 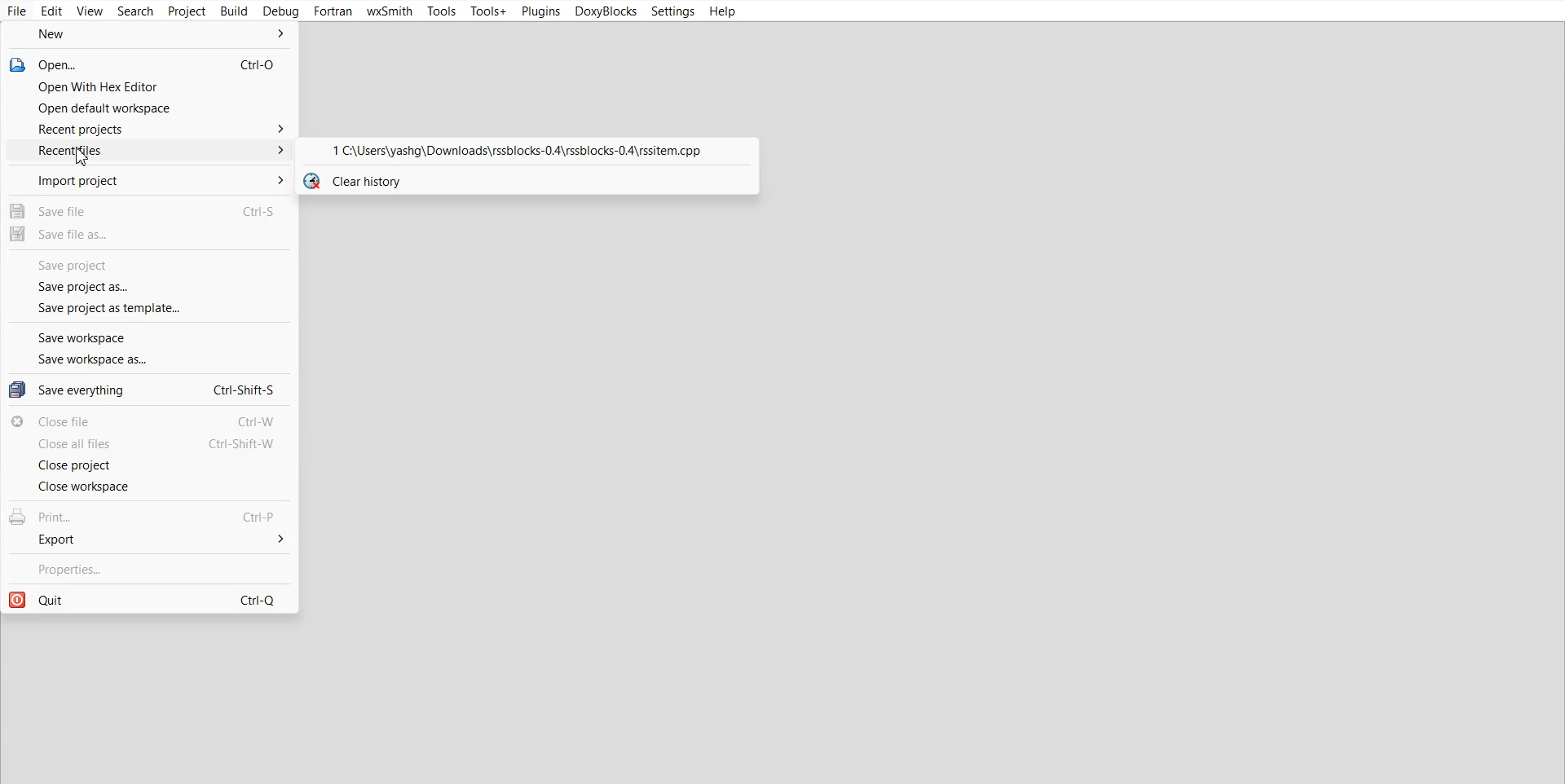 What do you see at coordinates (150, 287) in the screenshot?
I see `Save project as` at bounding box center [150, 287].